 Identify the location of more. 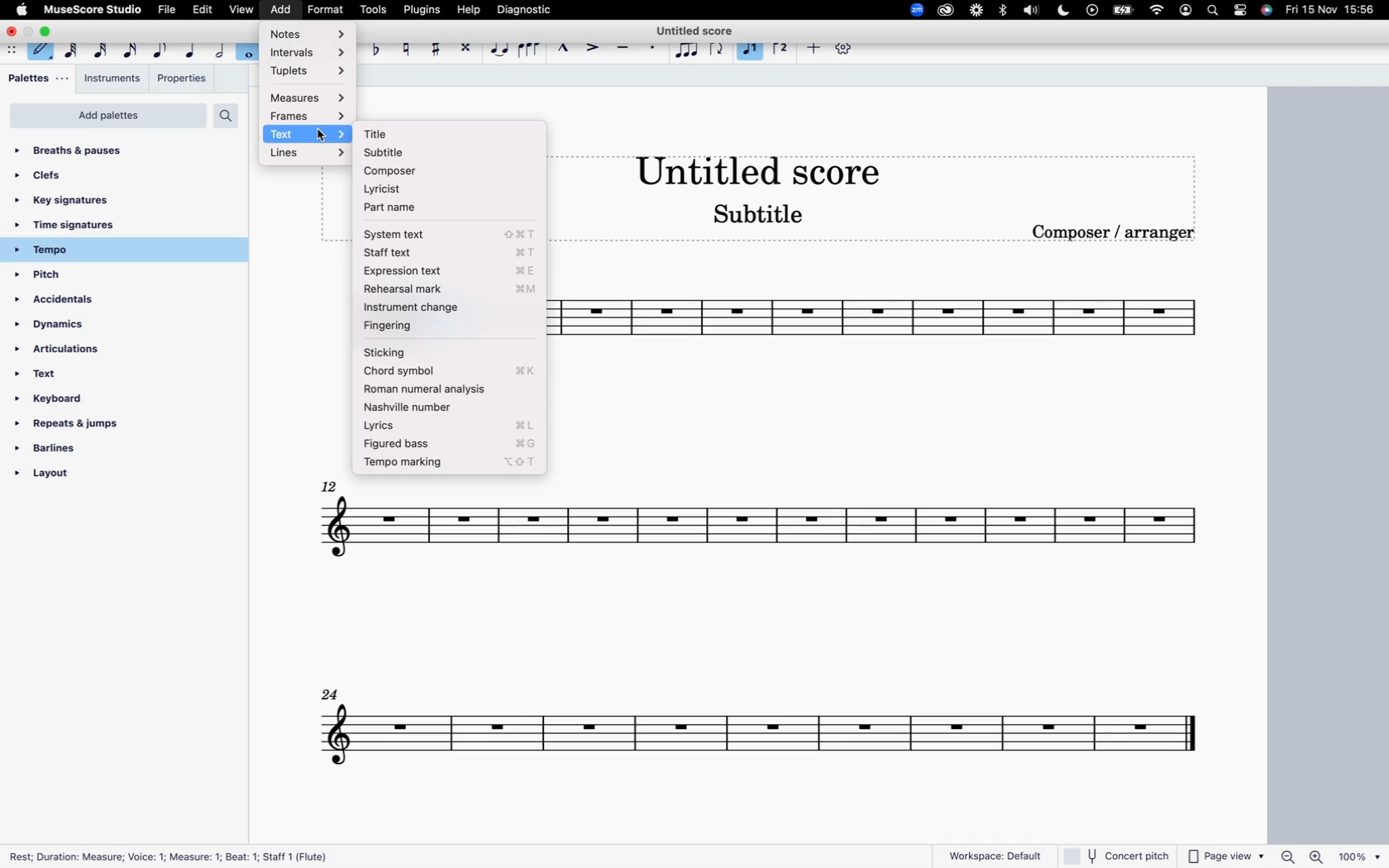
(812, 48).